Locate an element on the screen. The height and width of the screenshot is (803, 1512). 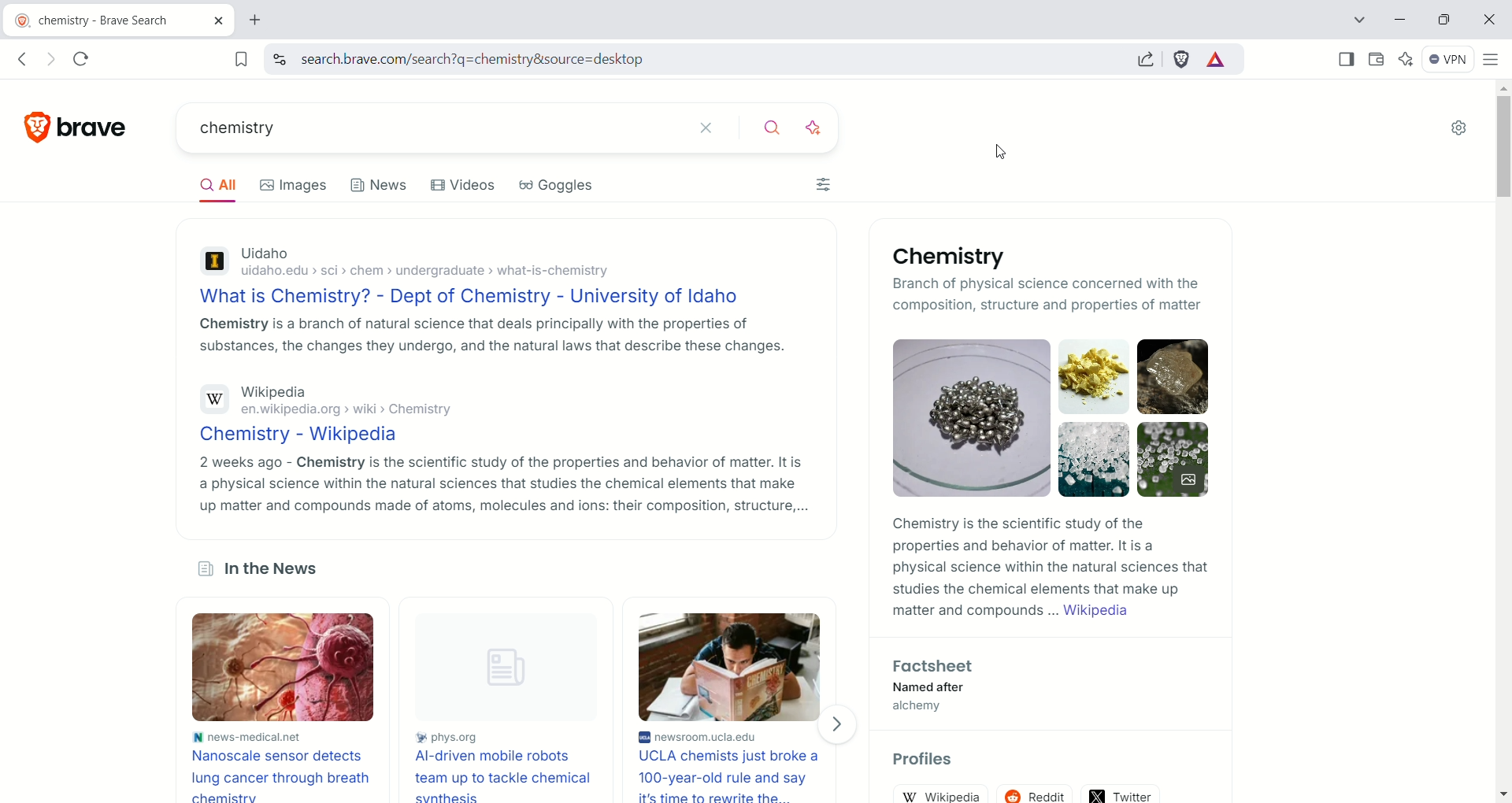
clear is located at coordinates (715, 128).